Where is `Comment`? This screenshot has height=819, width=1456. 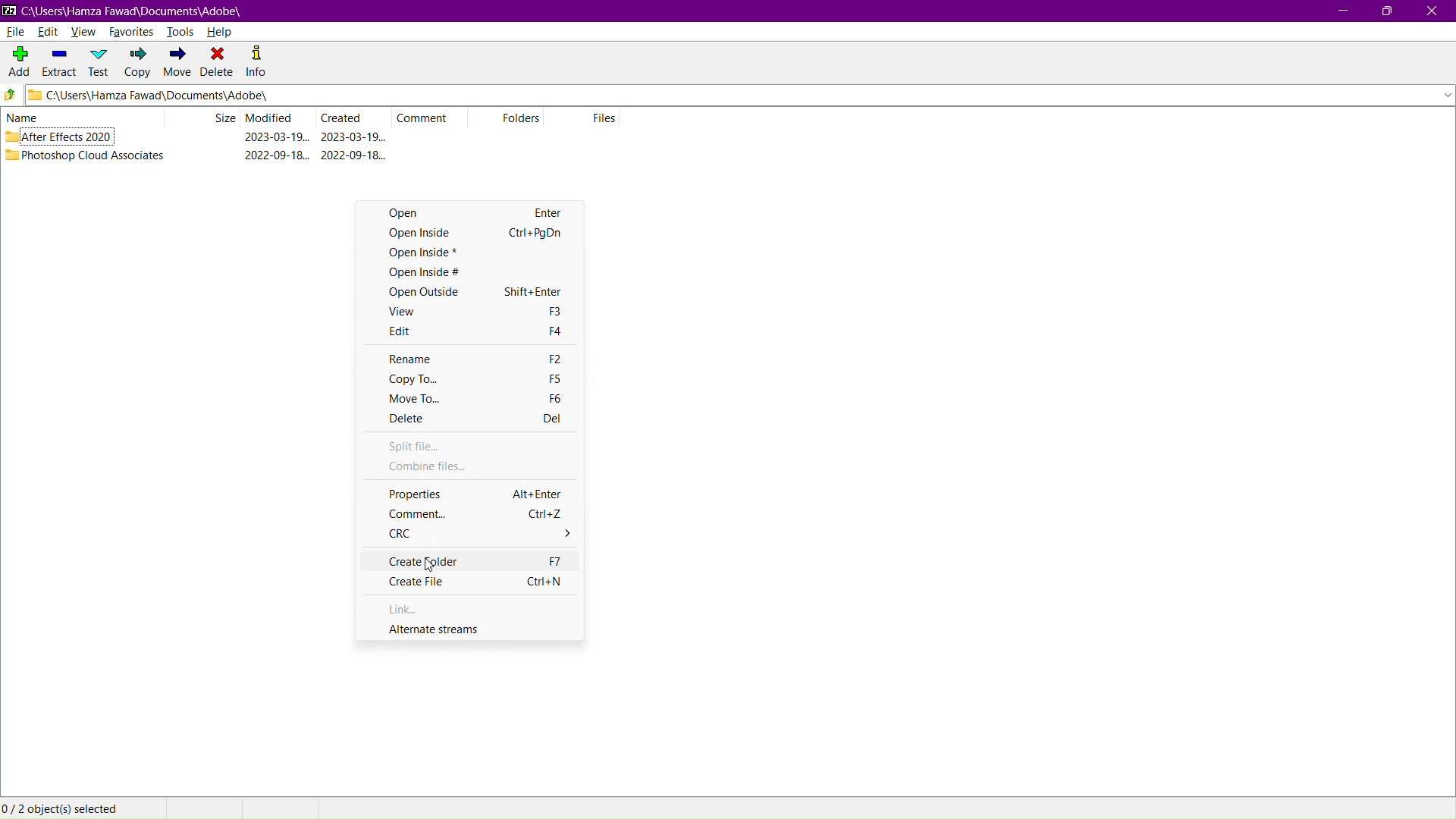
Comment is located at coordinates (435, 117).